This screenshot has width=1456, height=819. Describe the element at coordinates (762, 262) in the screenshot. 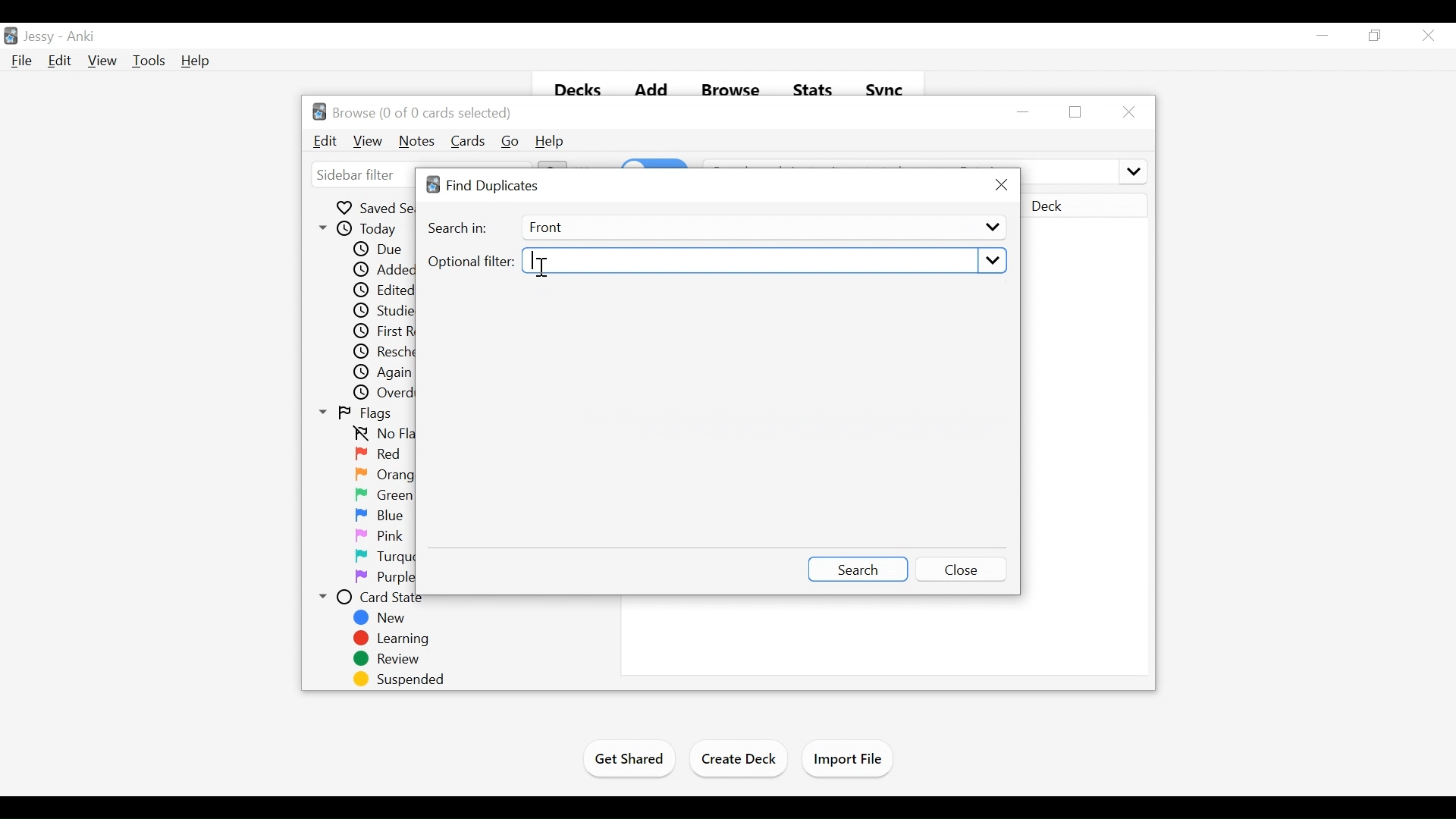

I see `Select Optional Filter` at that location.